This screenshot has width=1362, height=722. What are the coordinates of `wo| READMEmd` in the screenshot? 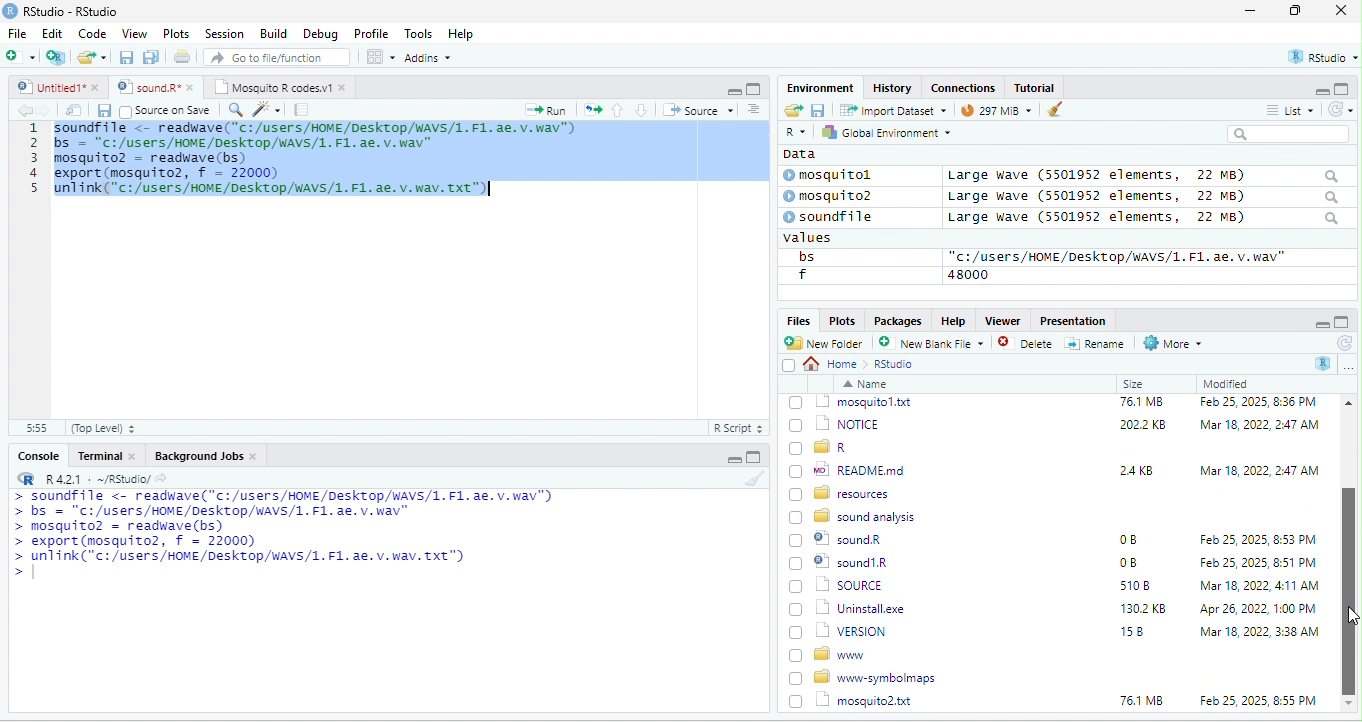 It's located at (852, 588).